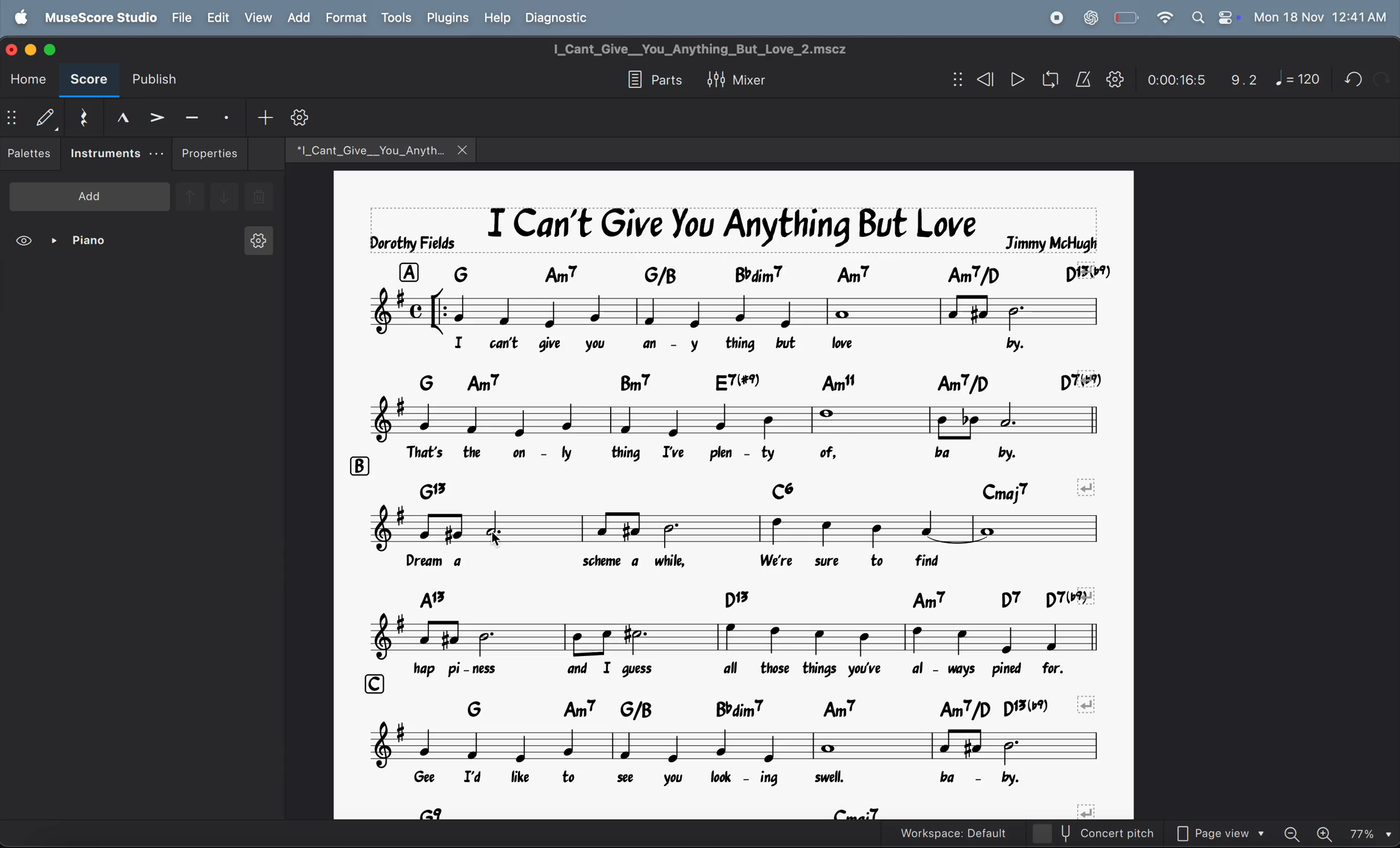 This screenshot has width=1400, height=848. What do you see at coordinates (448, 19) in the screenshot?
I see `plugins` at bounding box center [448, 19].